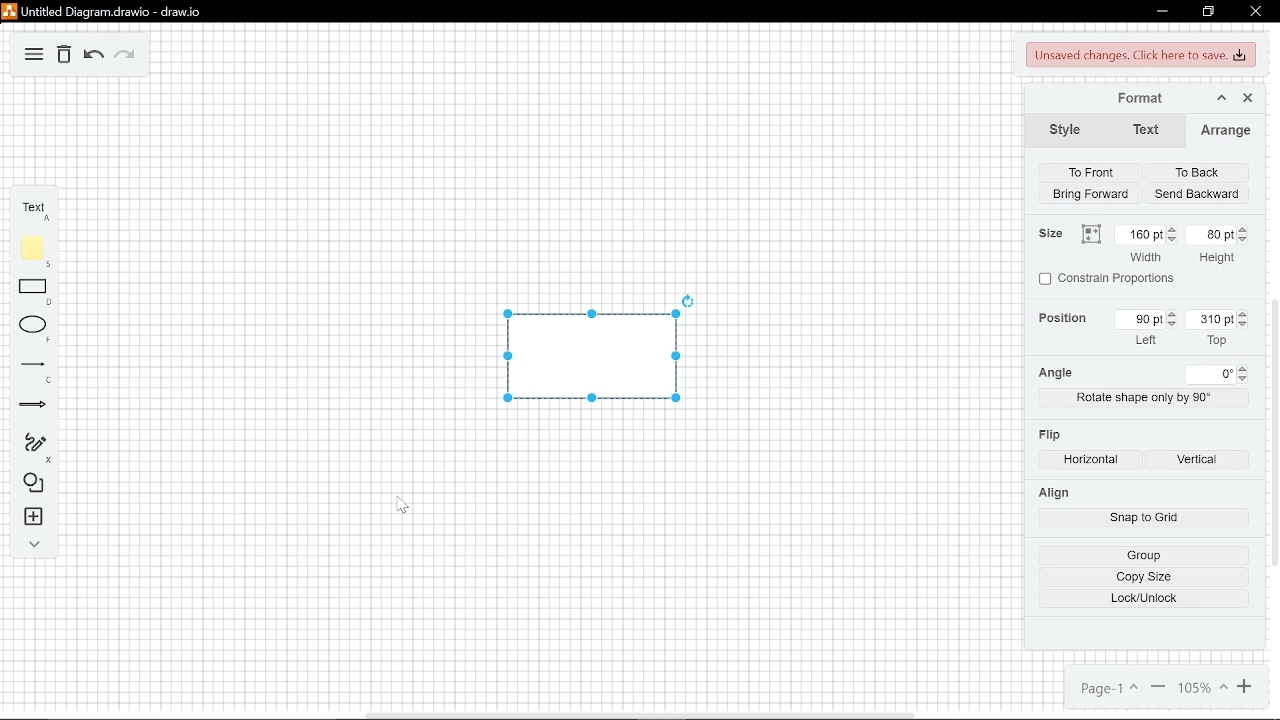 This screenshot has height=720, width=1280. What do you see at coordinates (1090, 234) in the screenshot?
I see `size ` at bounding box center [1090, 234].